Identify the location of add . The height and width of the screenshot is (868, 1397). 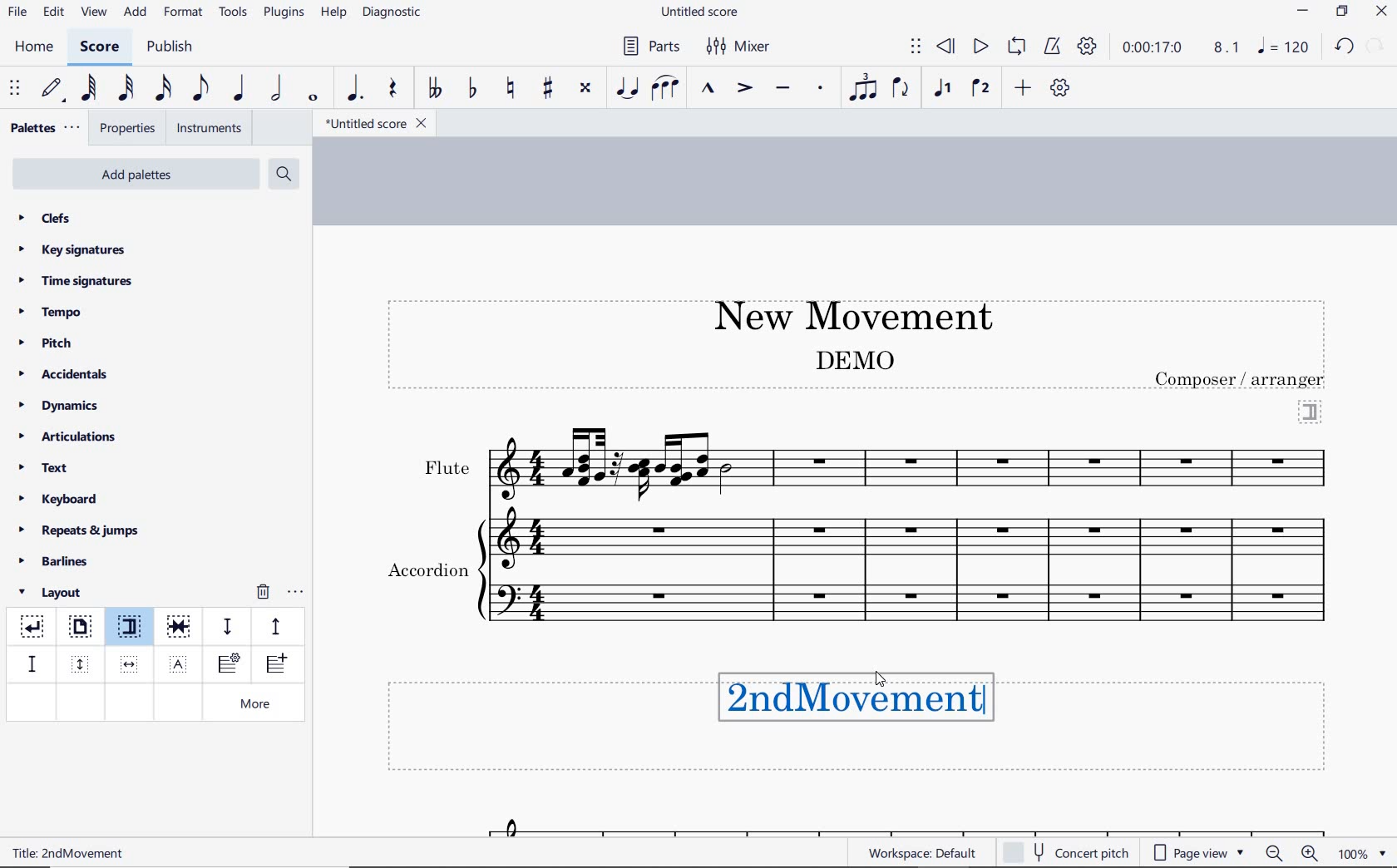
(137, 12).